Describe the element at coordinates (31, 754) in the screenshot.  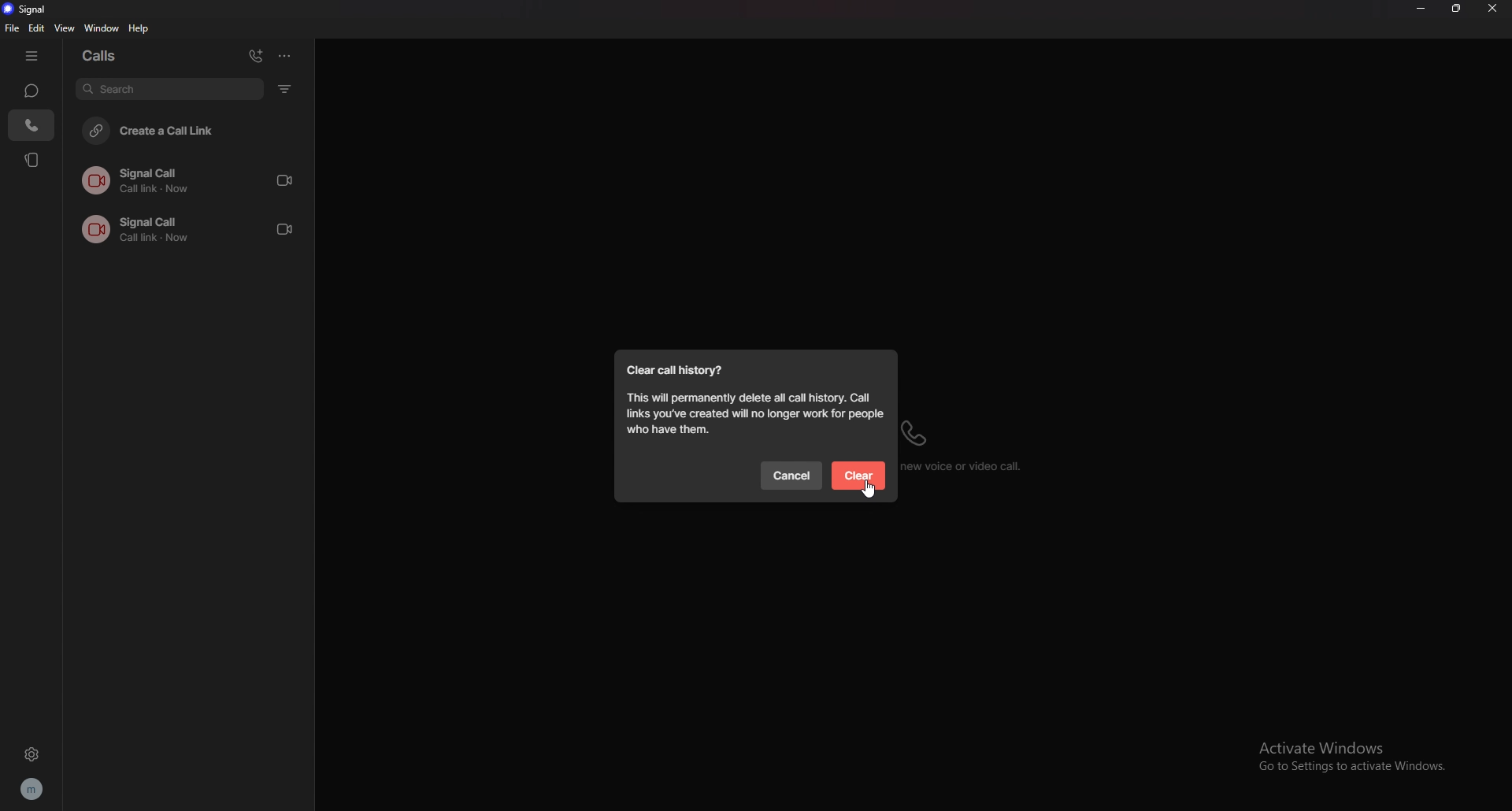
I see `settings` at that location.